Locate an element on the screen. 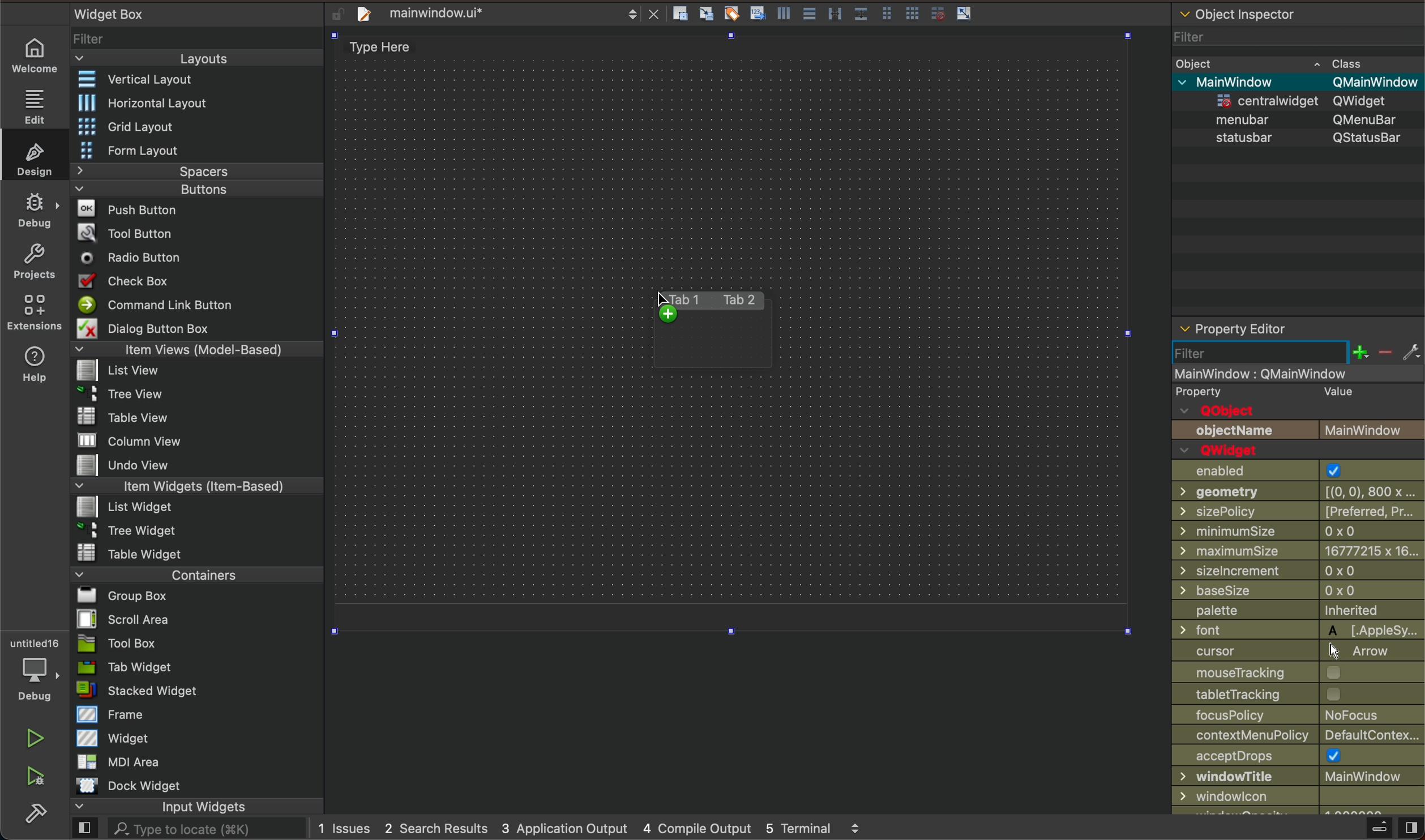  Item Views (Model-Based) is located at coordinates (198, 350).